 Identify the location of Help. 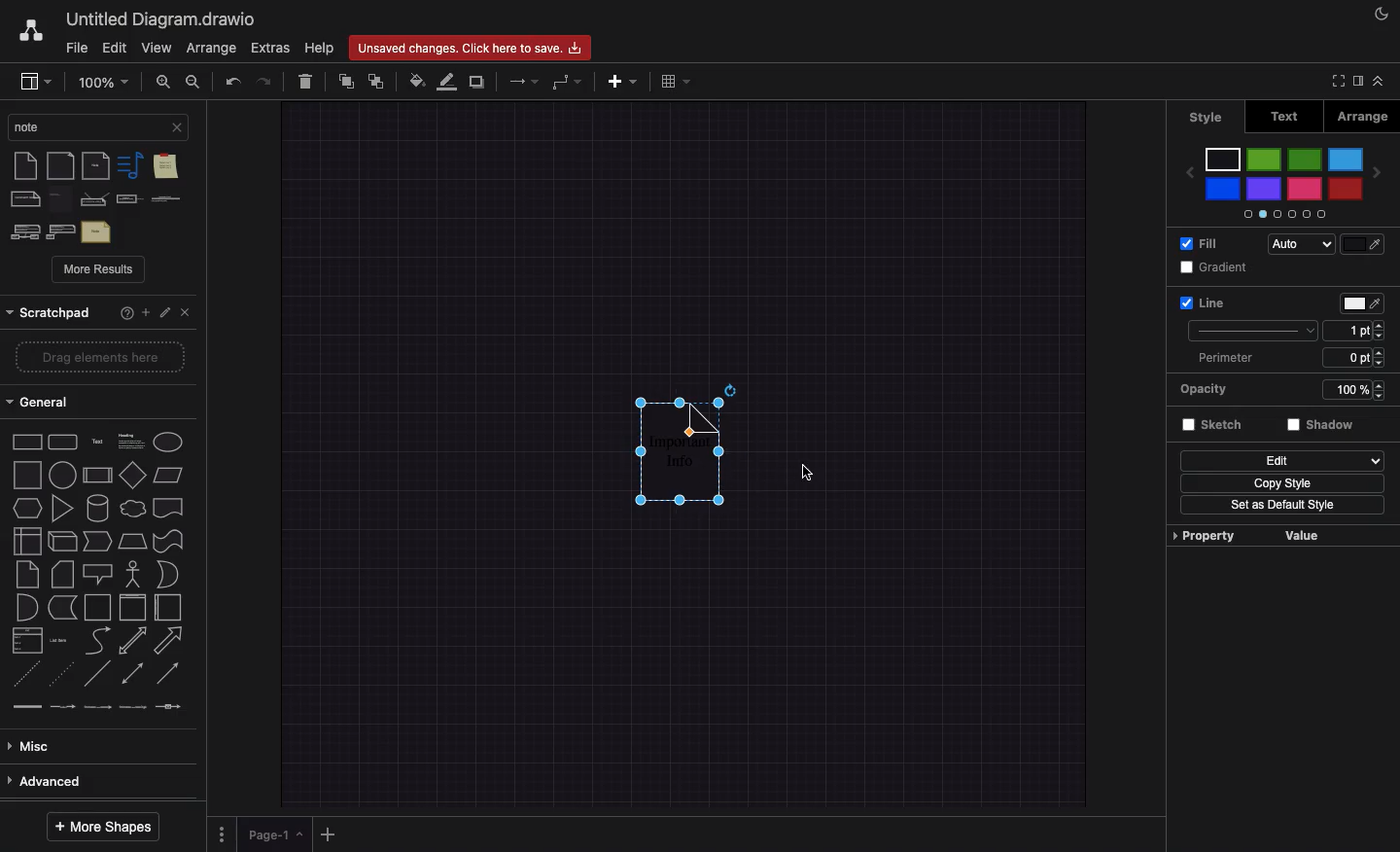
(321, 47).